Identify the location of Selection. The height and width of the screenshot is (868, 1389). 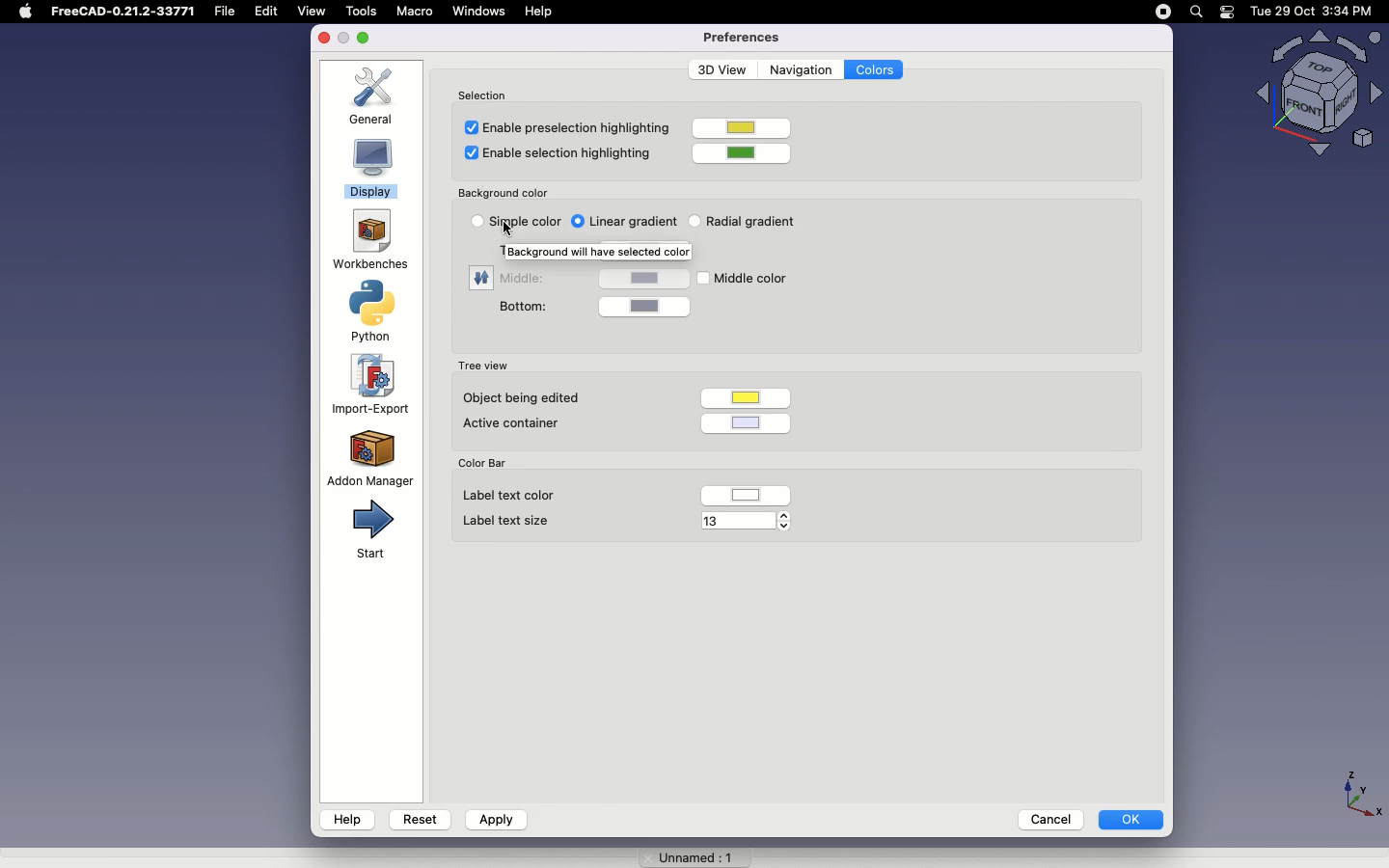
(487, 93).